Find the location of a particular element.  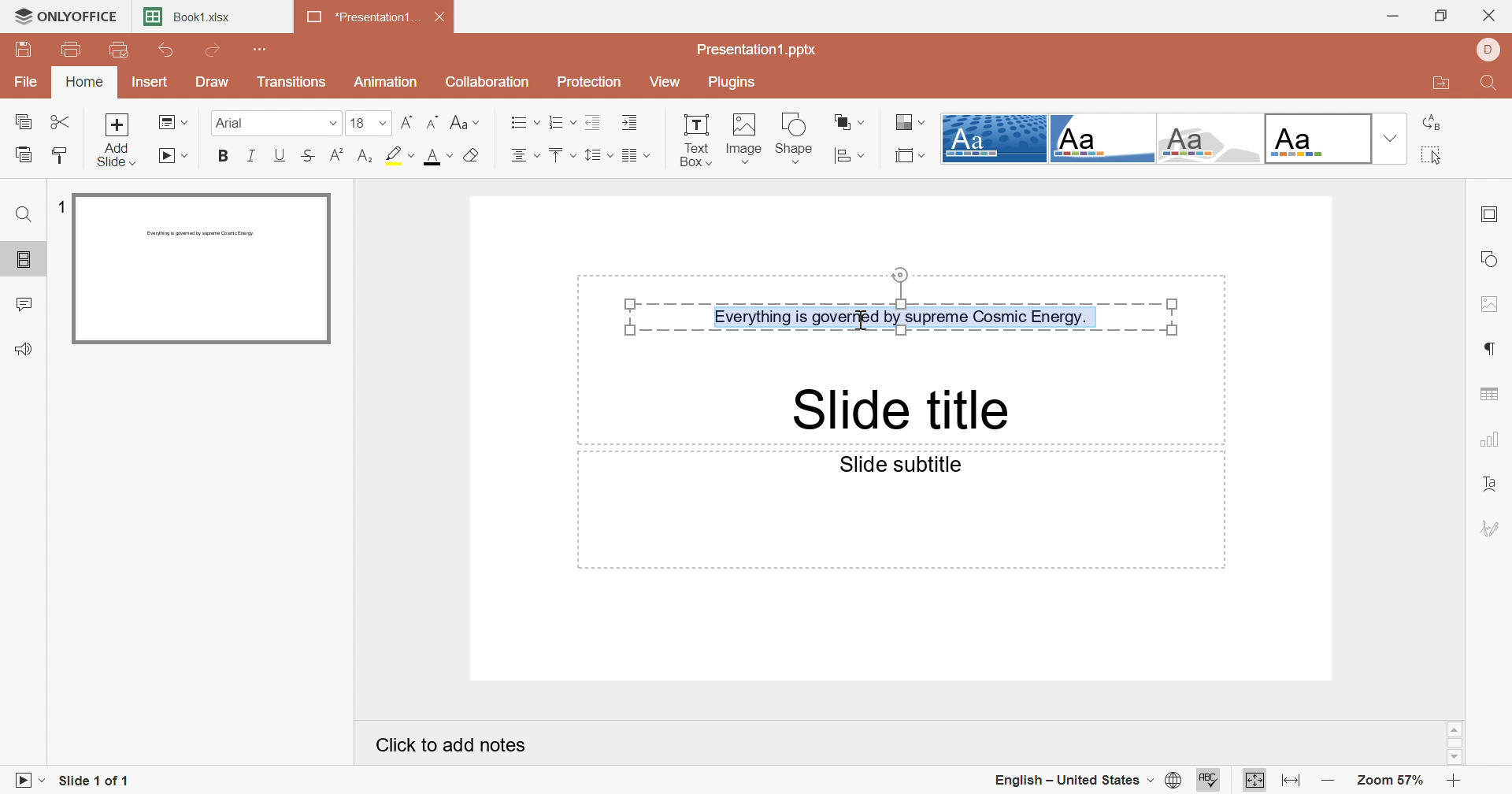

font color is located at coordinates (439, 156).